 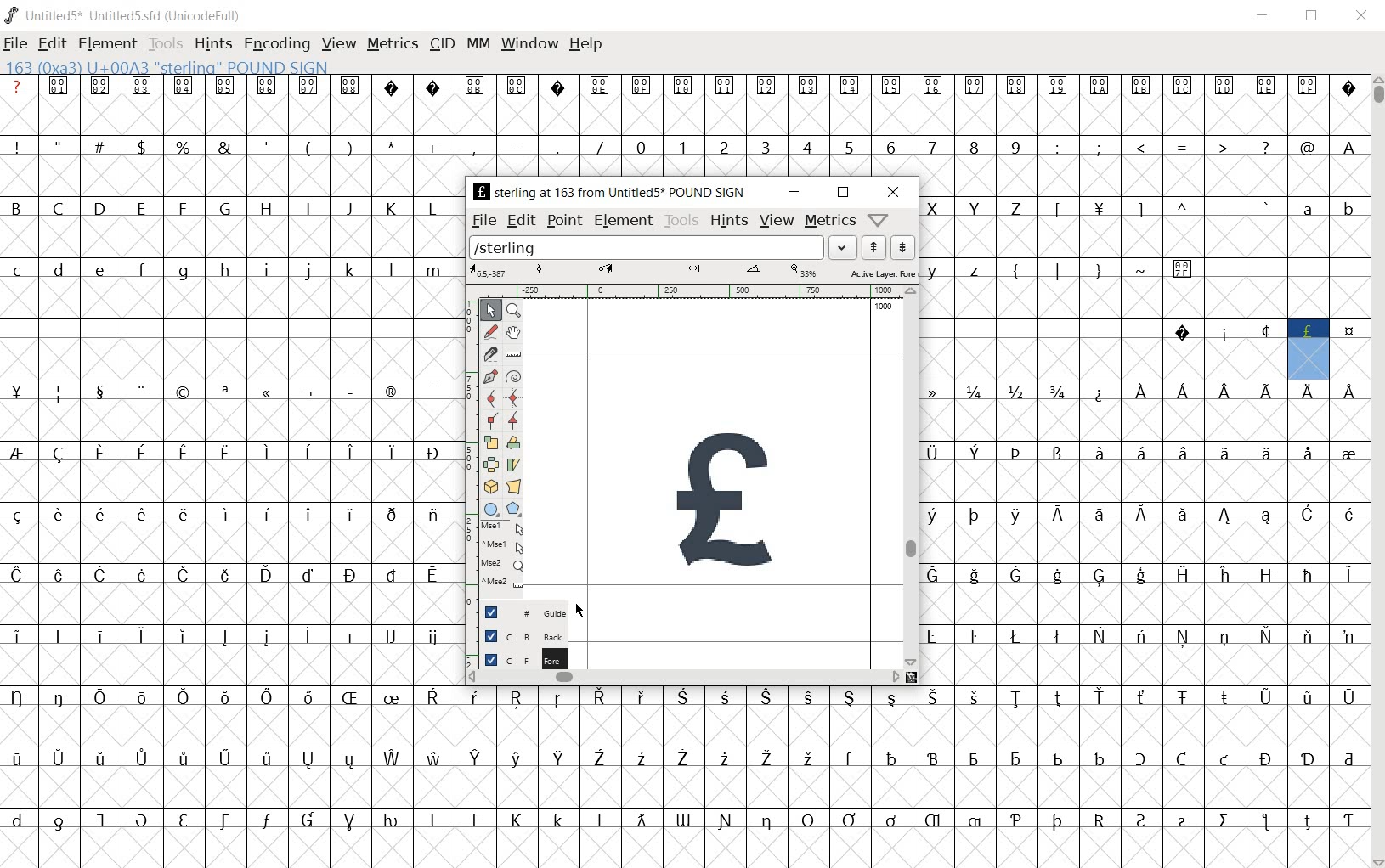 I want to click on Symbol, so click(x=20, y=392).